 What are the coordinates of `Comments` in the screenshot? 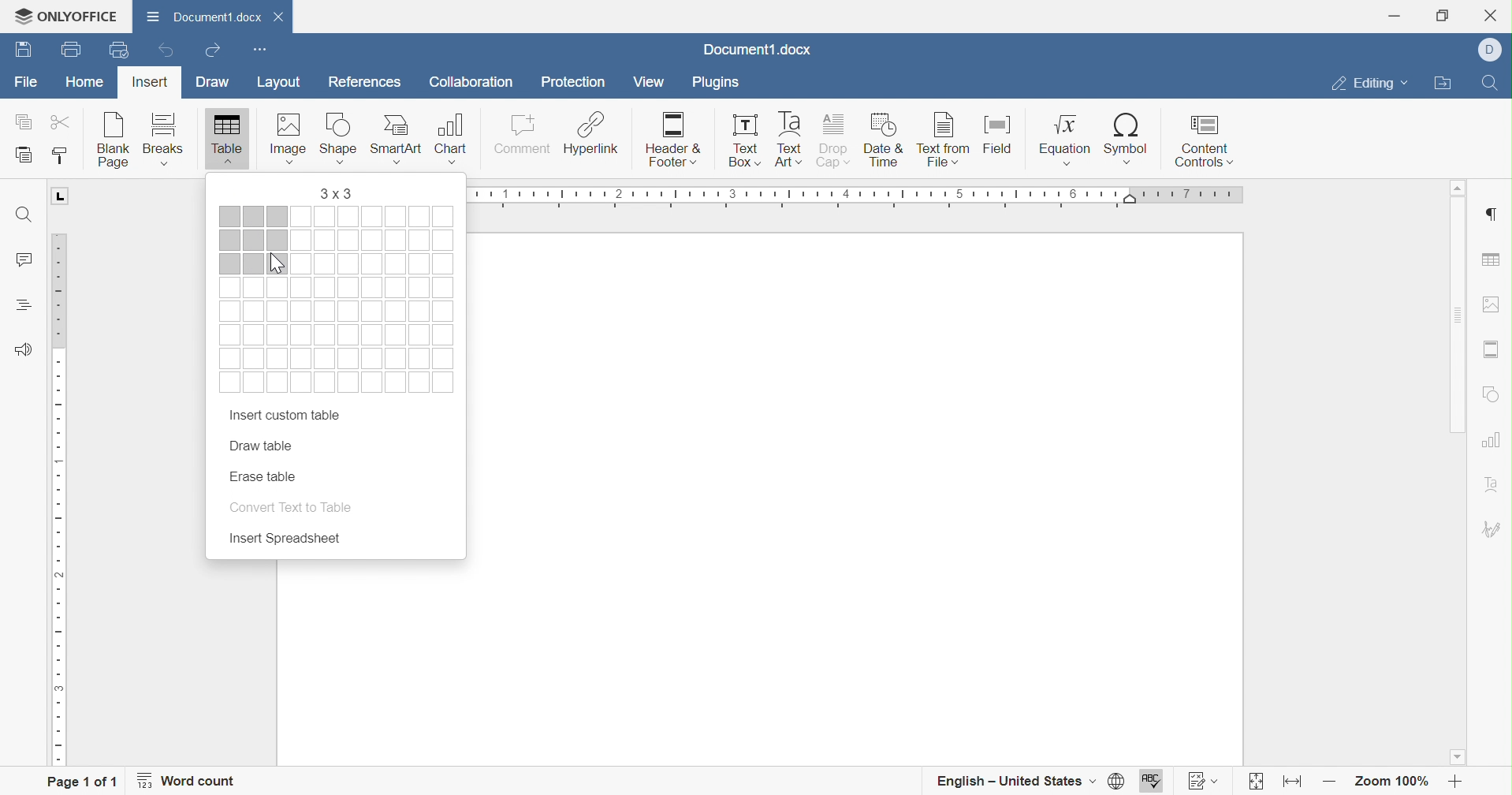 It's located at (26, 258).